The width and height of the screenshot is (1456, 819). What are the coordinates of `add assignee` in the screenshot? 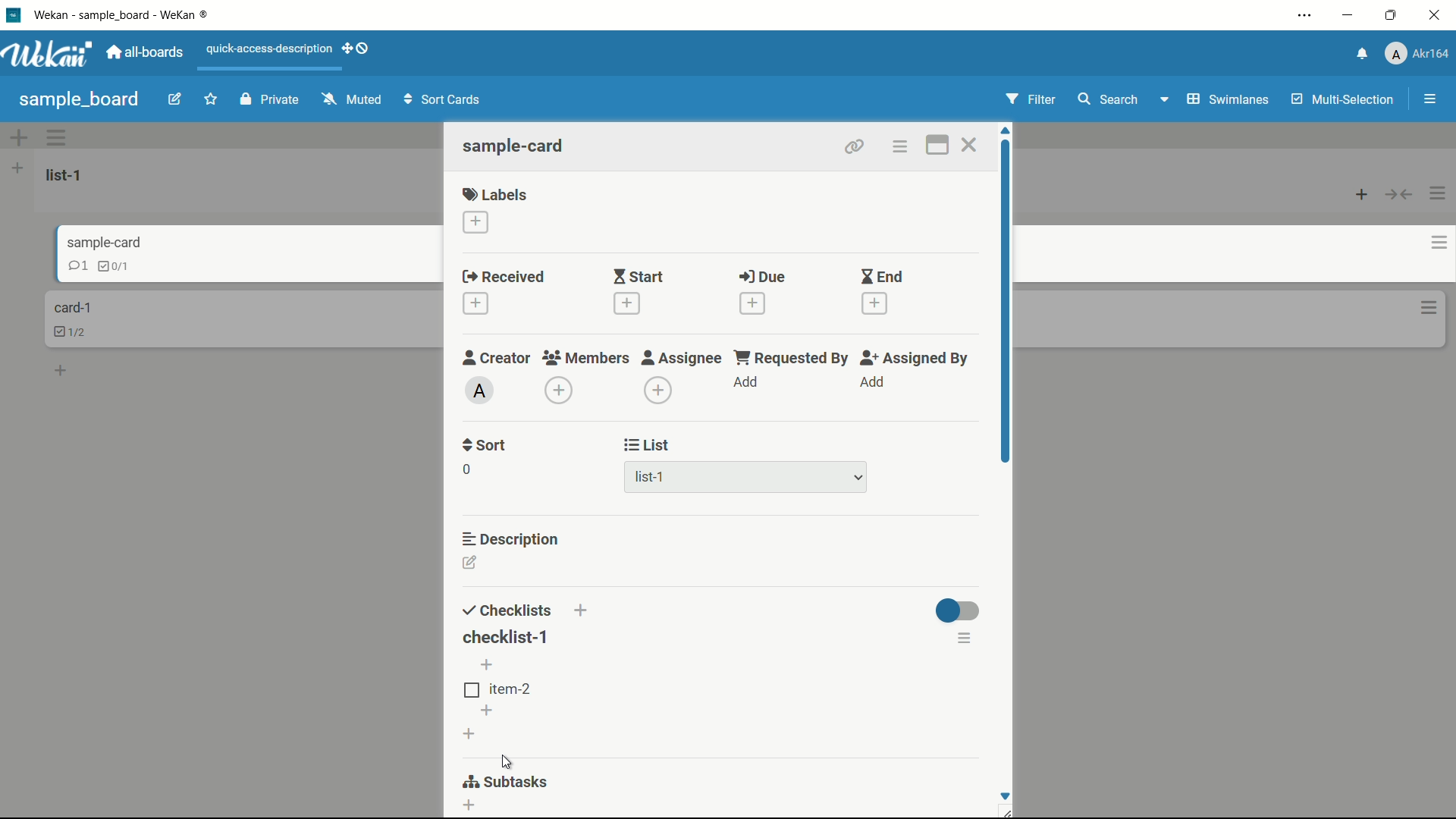 It's located at (872, 381).